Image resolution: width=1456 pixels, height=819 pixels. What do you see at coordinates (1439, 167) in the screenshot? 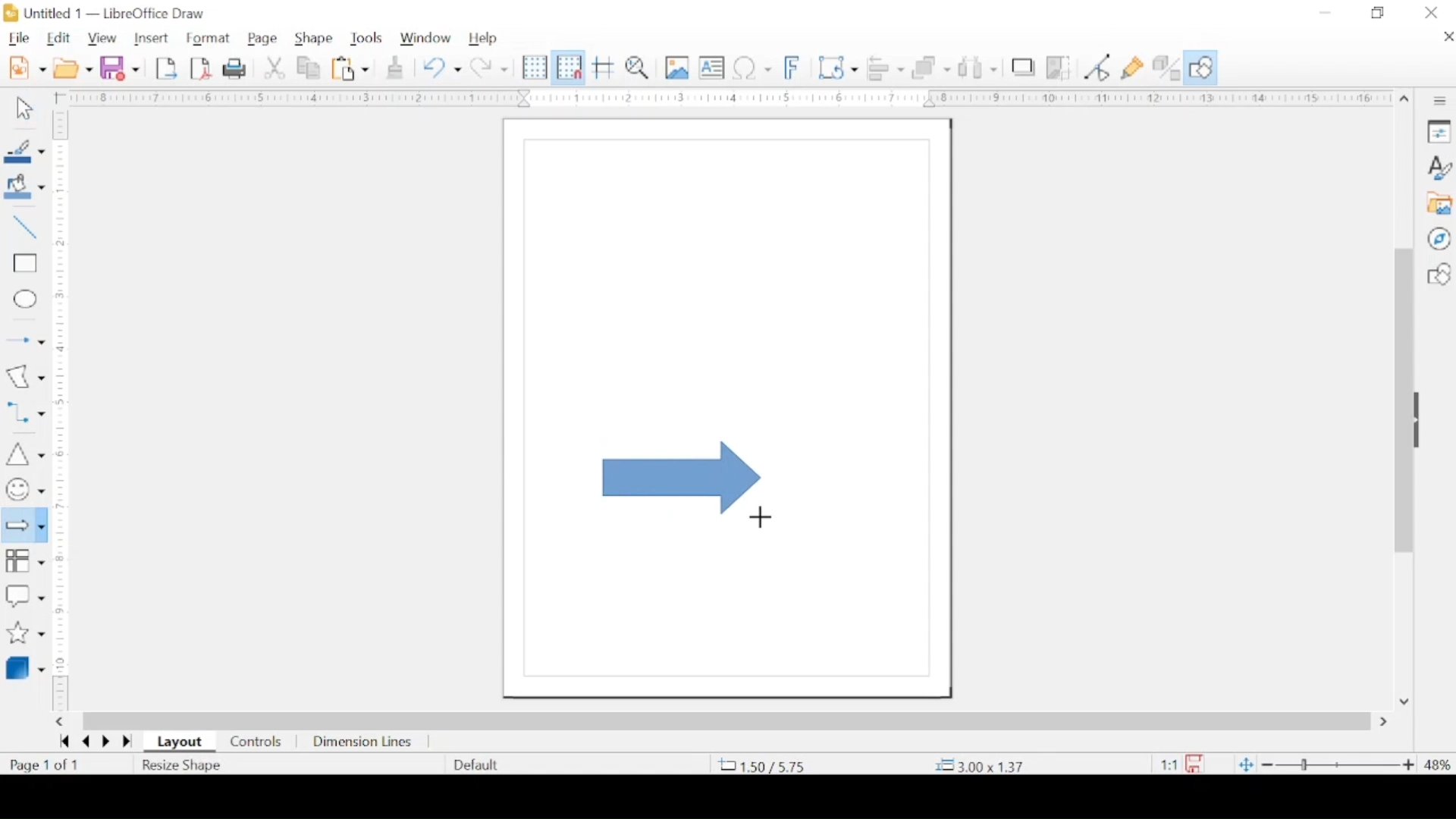
I see `styles` at bounding box center [1439, 167].